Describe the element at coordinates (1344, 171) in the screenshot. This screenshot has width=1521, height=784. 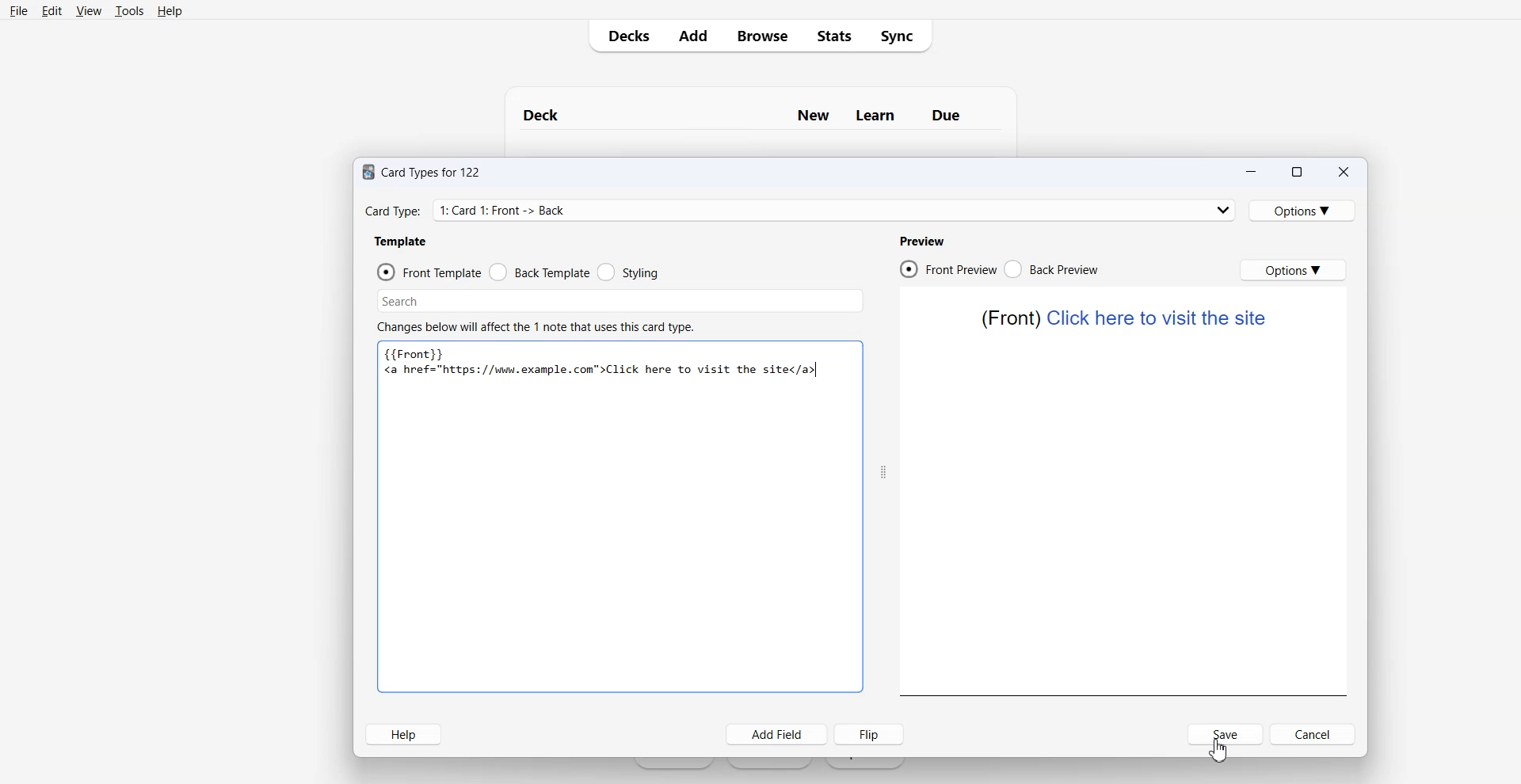
I see `Close` at that location.